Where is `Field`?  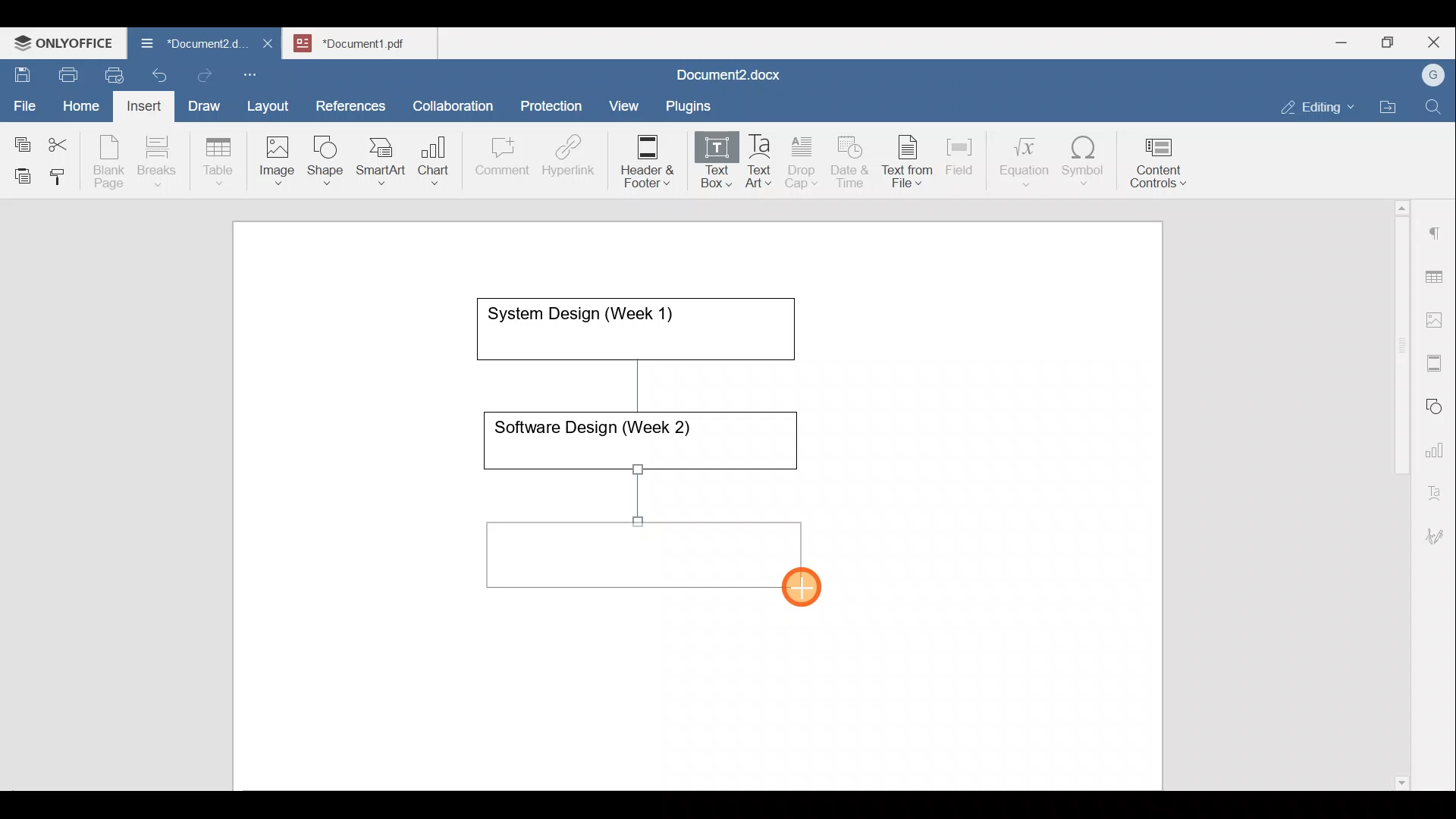 Field is located at coordinates (959, 154).